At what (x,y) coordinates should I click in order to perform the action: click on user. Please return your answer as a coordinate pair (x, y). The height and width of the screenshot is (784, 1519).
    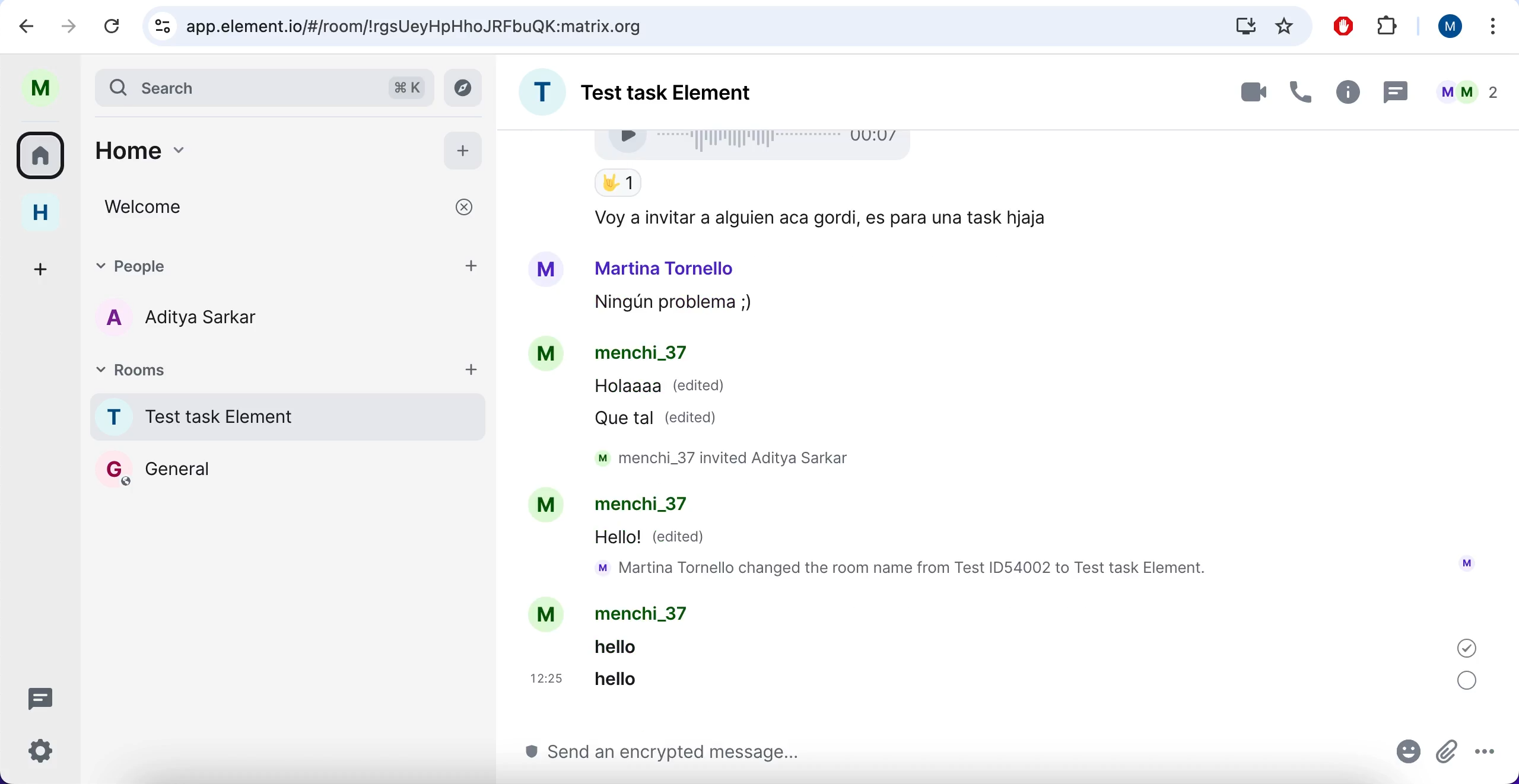
    Looking at the image, I should click on (46, 88).